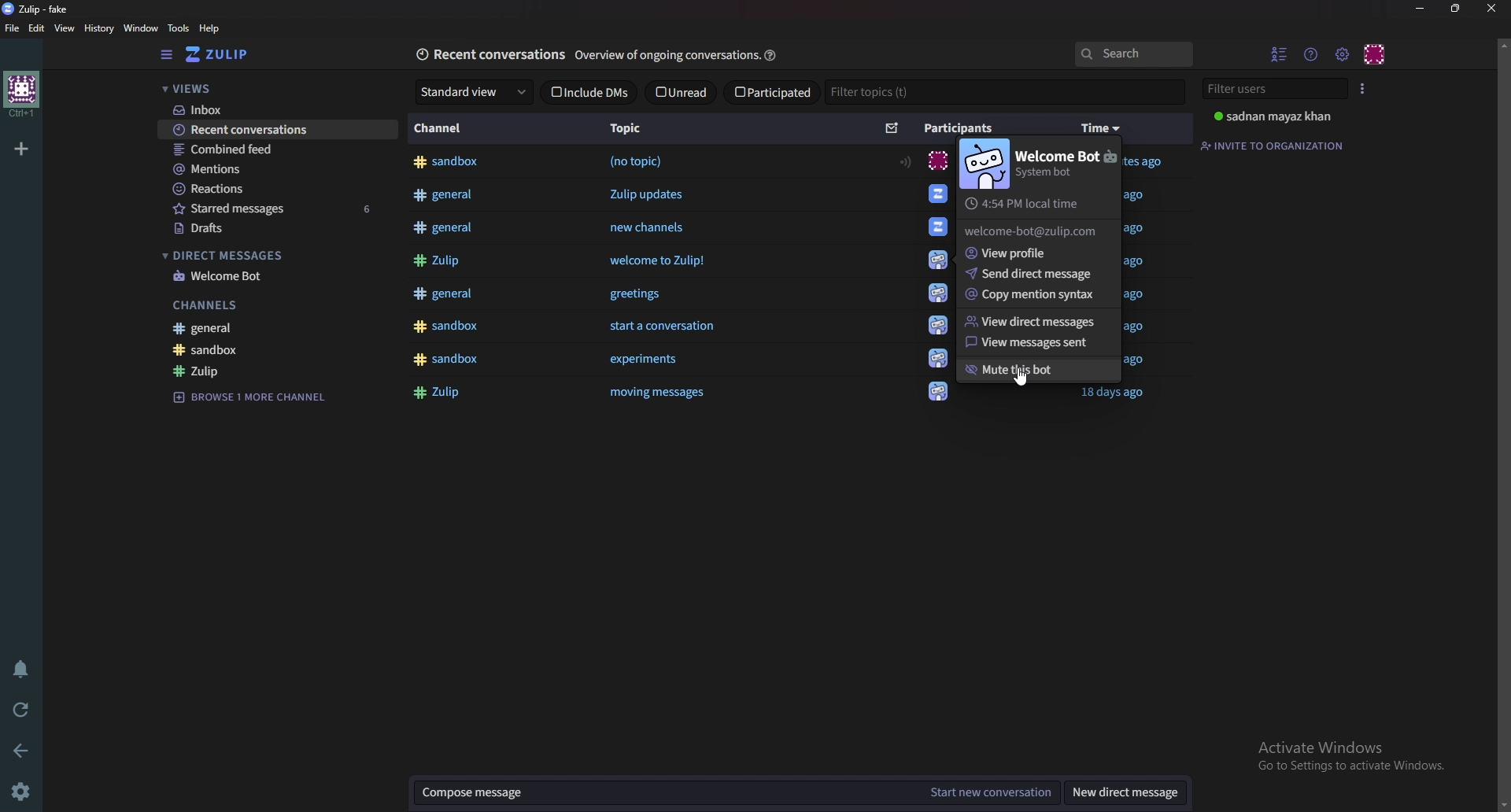  What do you see at coordinates (22, 95) in the screenshot?
I see `home` at bounding box center [22, 95].